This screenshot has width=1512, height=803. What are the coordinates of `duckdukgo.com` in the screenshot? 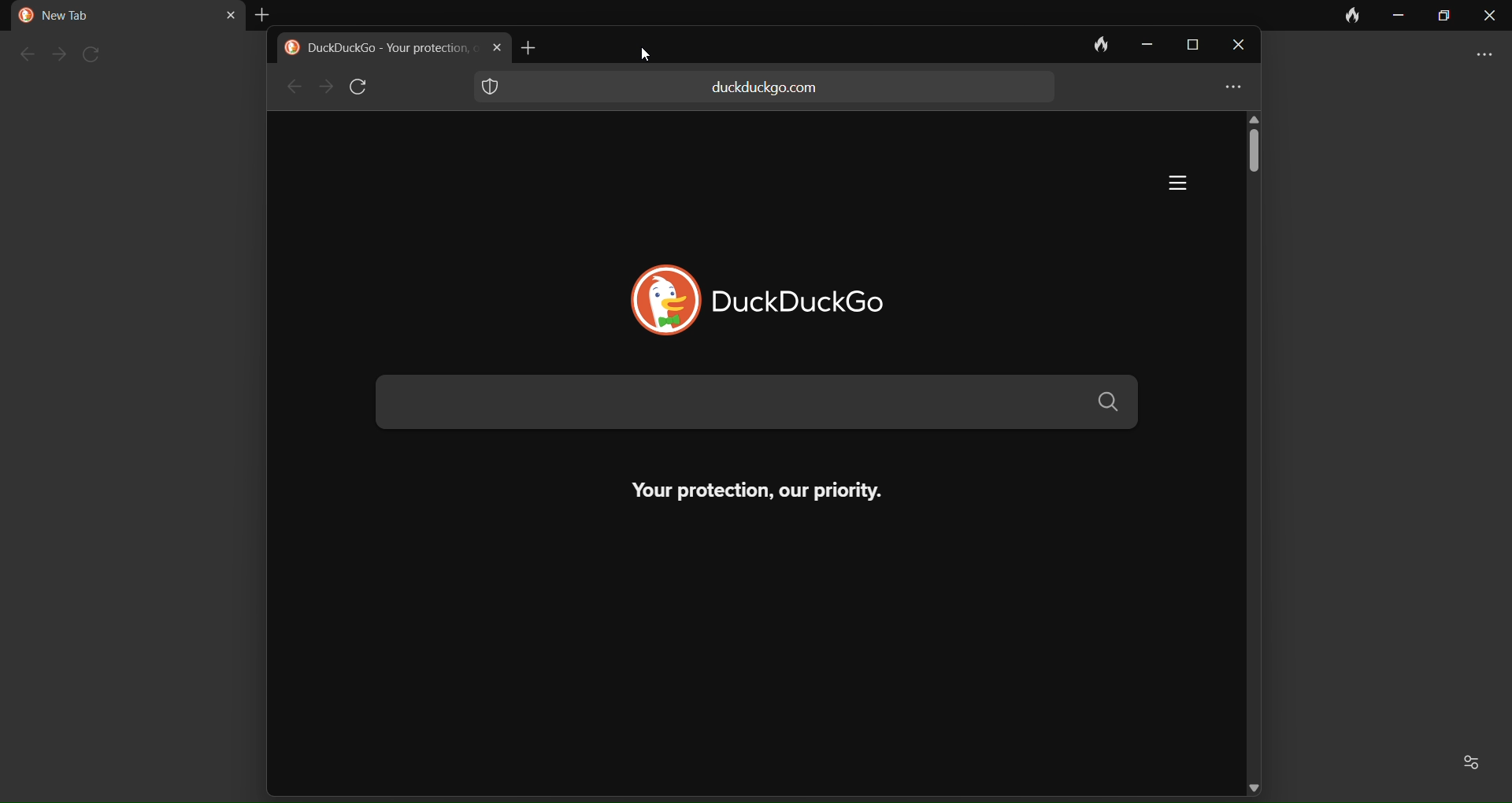 It's located at (765, 87).